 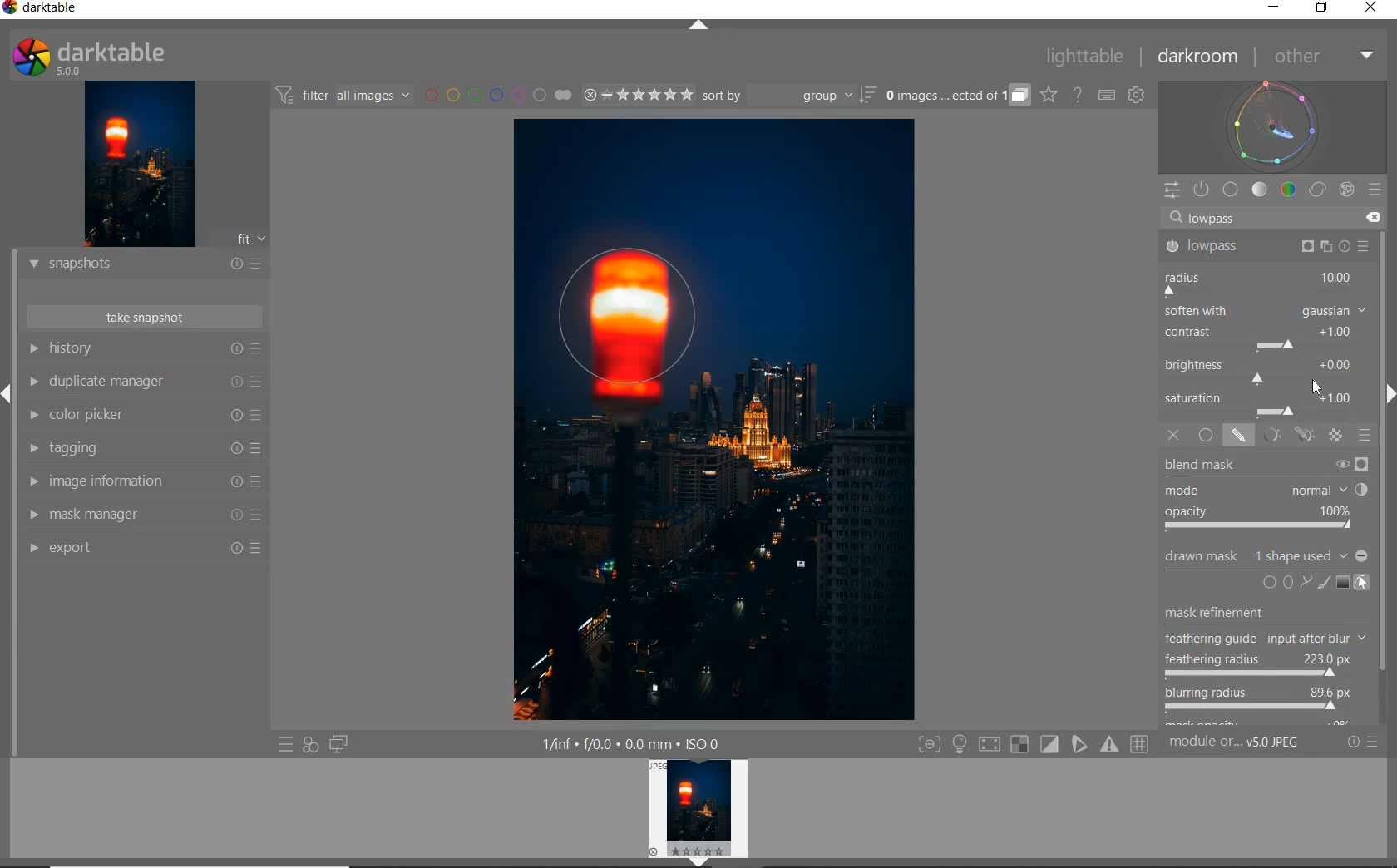 What do you see at coordinates (286, 747) in the screenshot?
I see `QUICK ACCESS TO PRESET` at bounding box center [286, 747].